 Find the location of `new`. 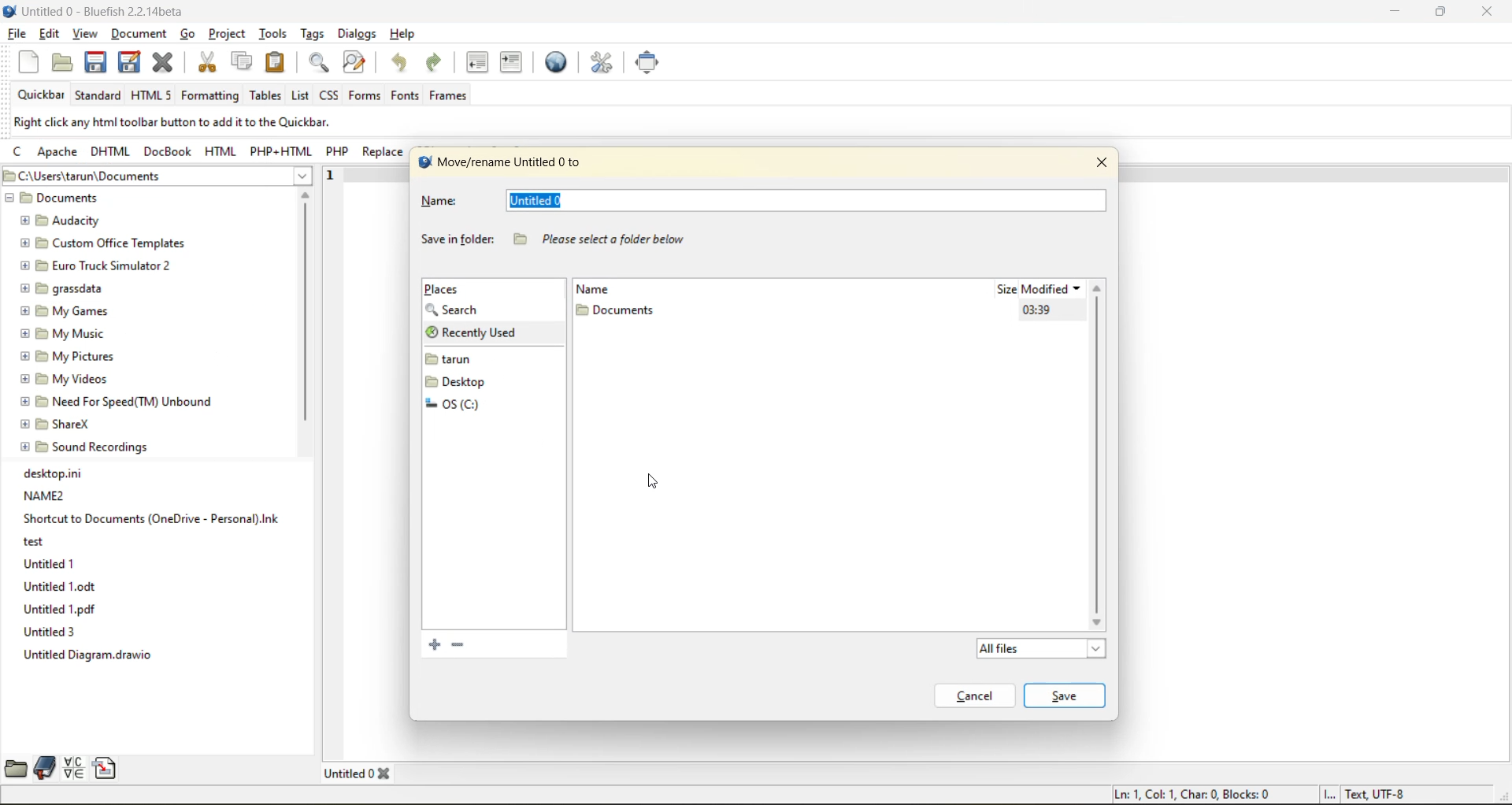

new is located at coordinates (19, 66).